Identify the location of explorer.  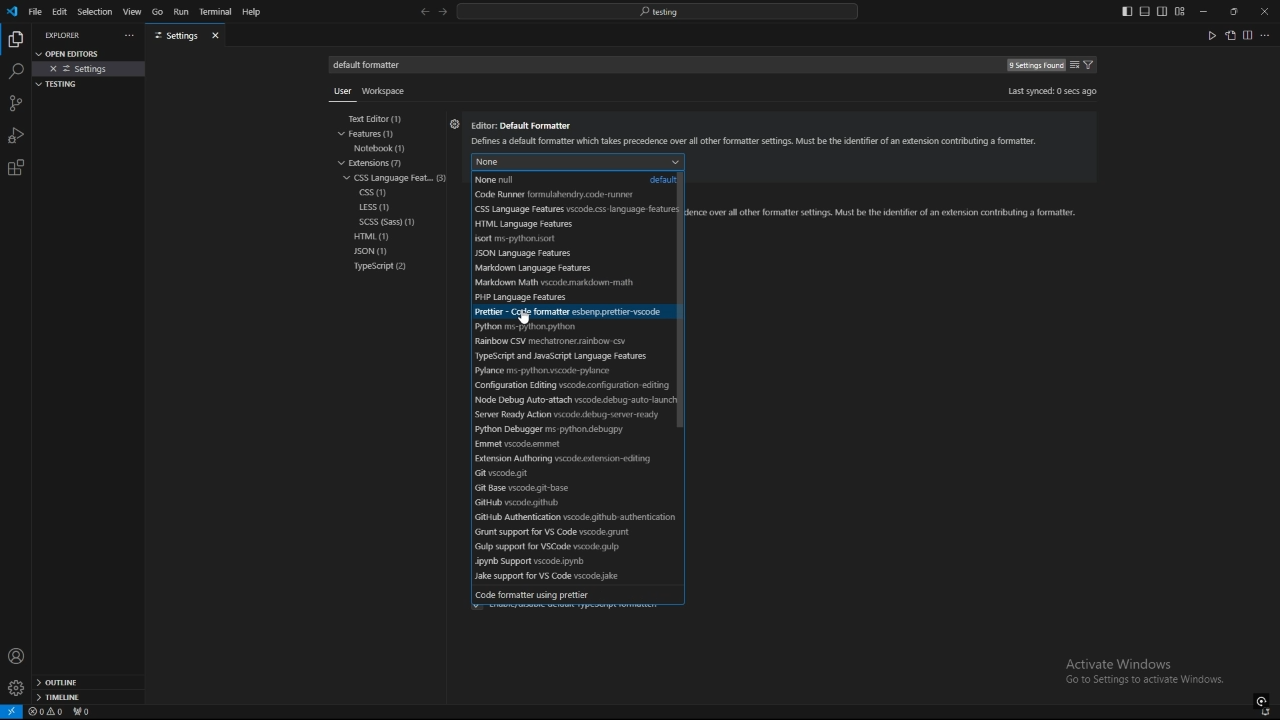
(66, 35).